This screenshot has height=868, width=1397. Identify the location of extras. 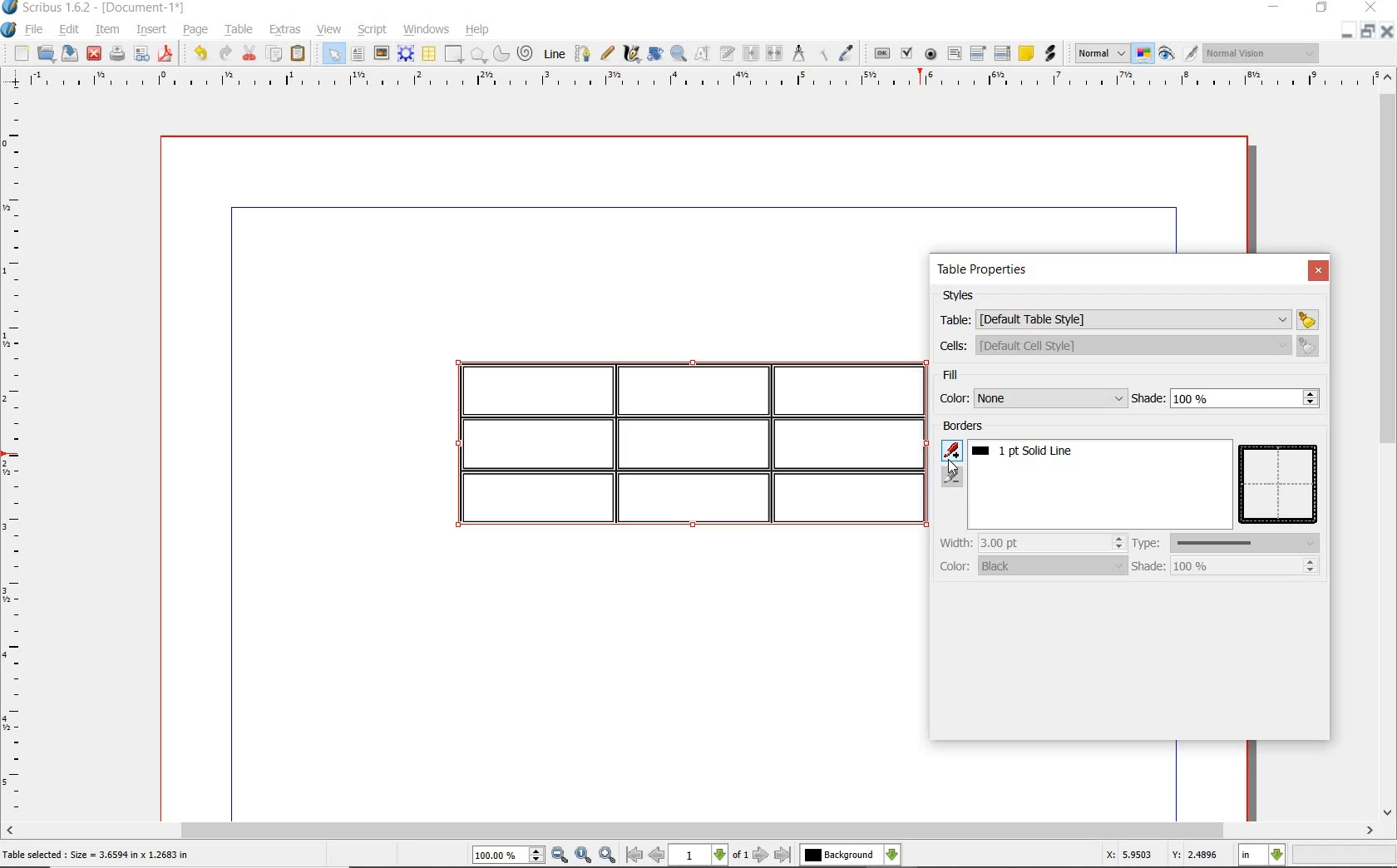
(286, 31).